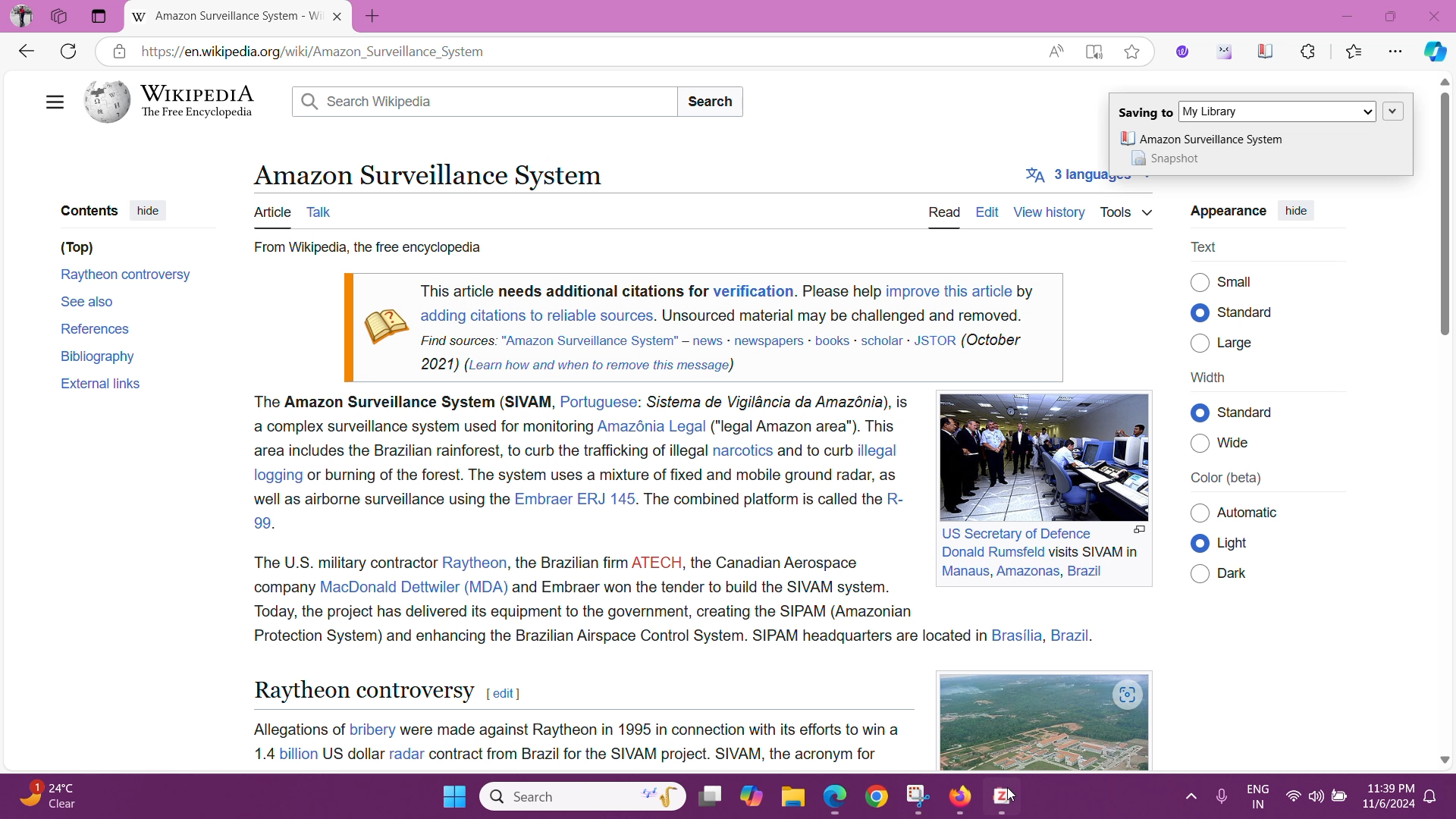  Describe the element at coordinates (1397, 52) in the screenshot. I see `Settings and more` at that location.